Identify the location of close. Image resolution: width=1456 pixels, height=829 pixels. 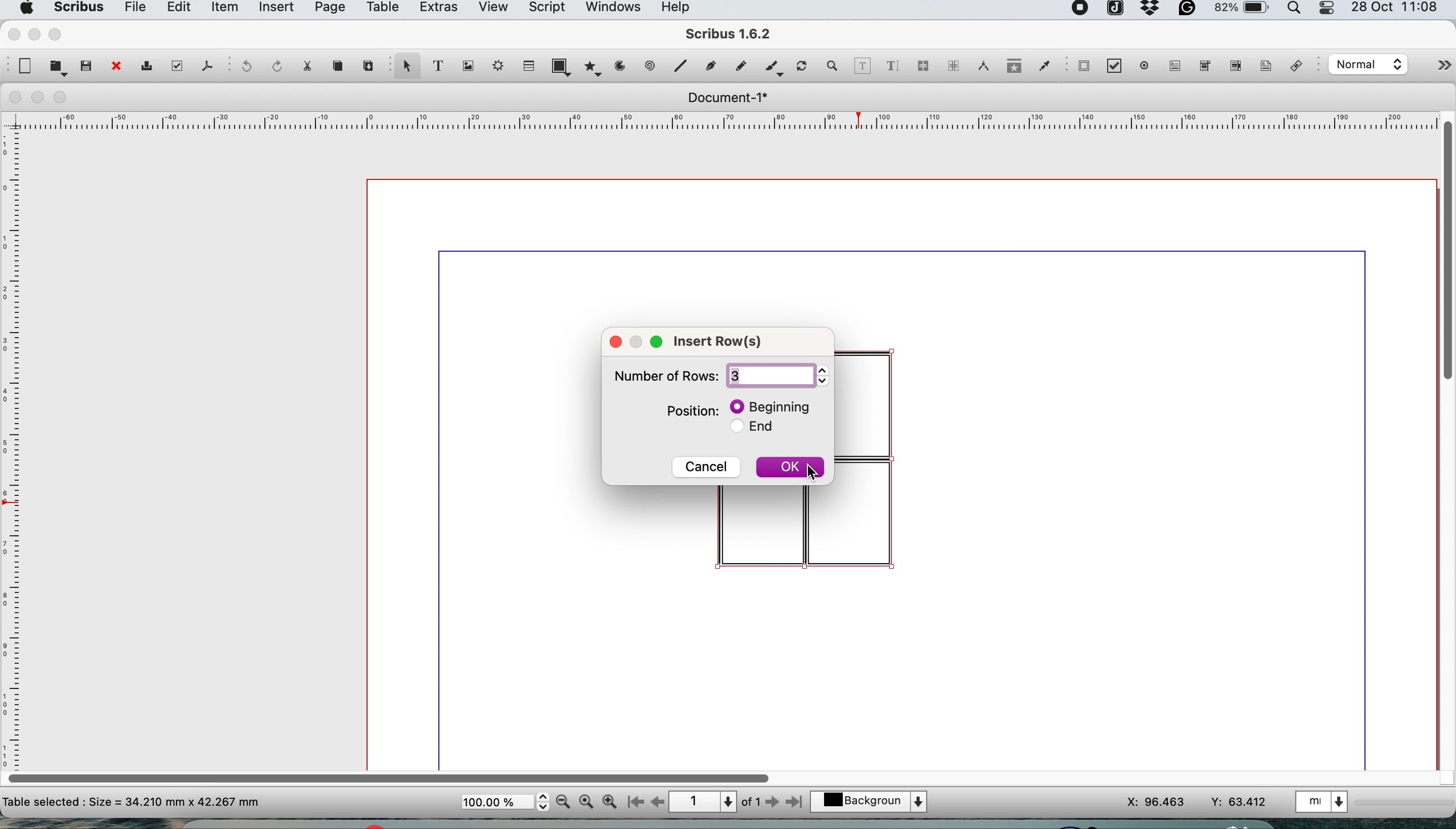
(115, 67).